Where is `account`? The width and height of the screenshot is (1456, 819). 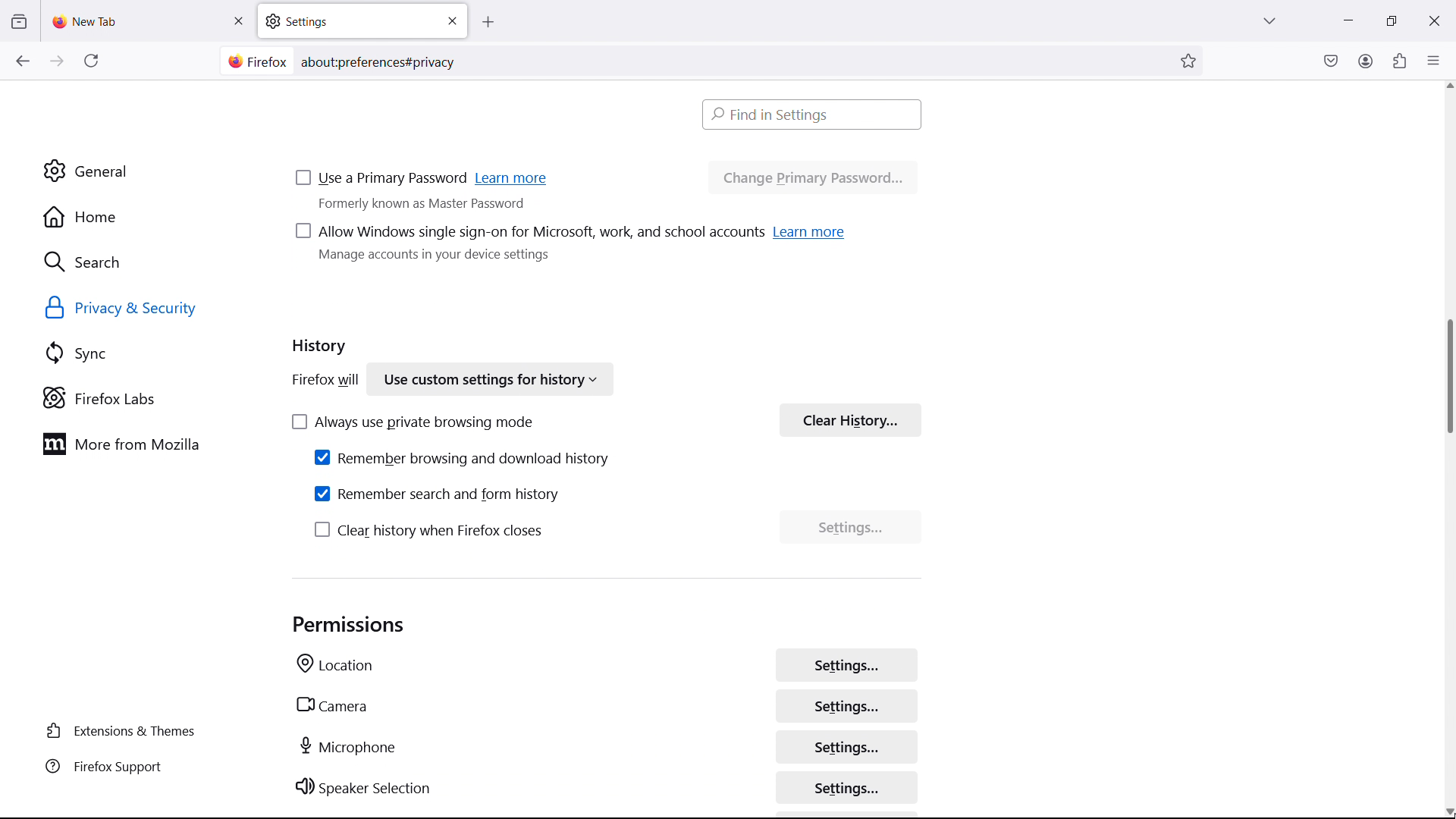
account is located at coordinates (1365, 60).